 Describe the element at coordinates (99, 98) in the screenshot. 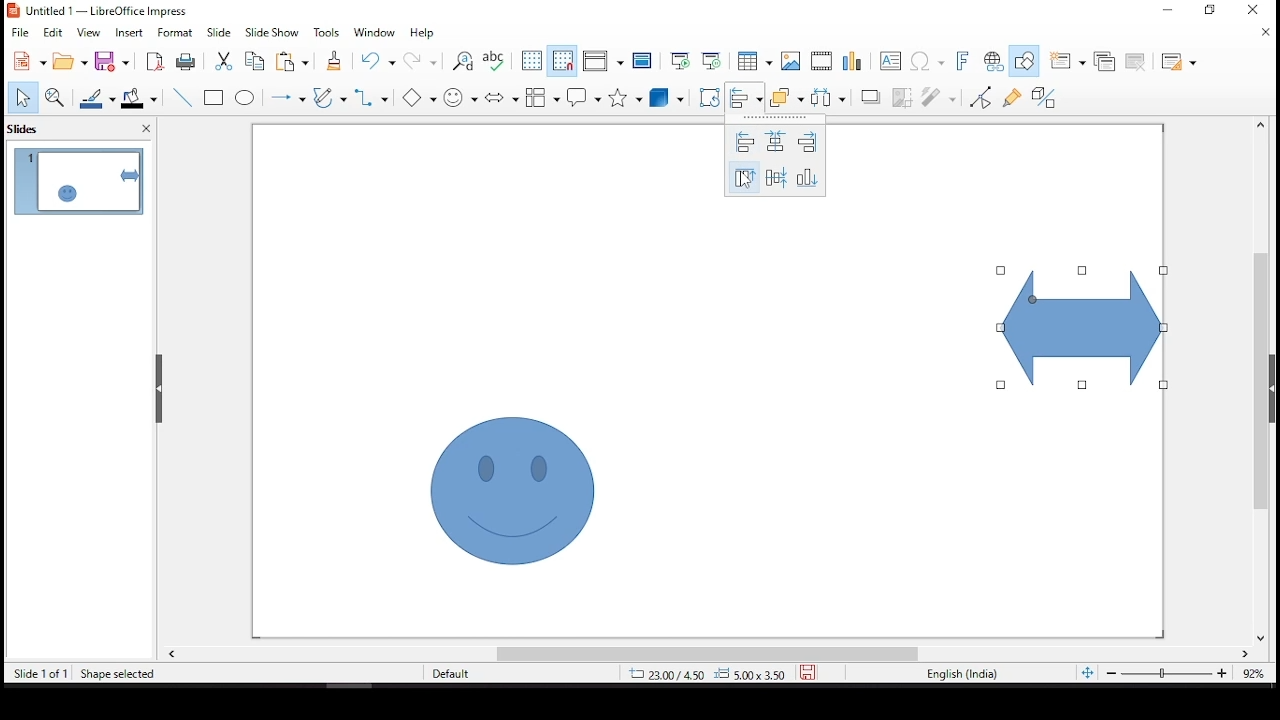

I see `line color` at that location.